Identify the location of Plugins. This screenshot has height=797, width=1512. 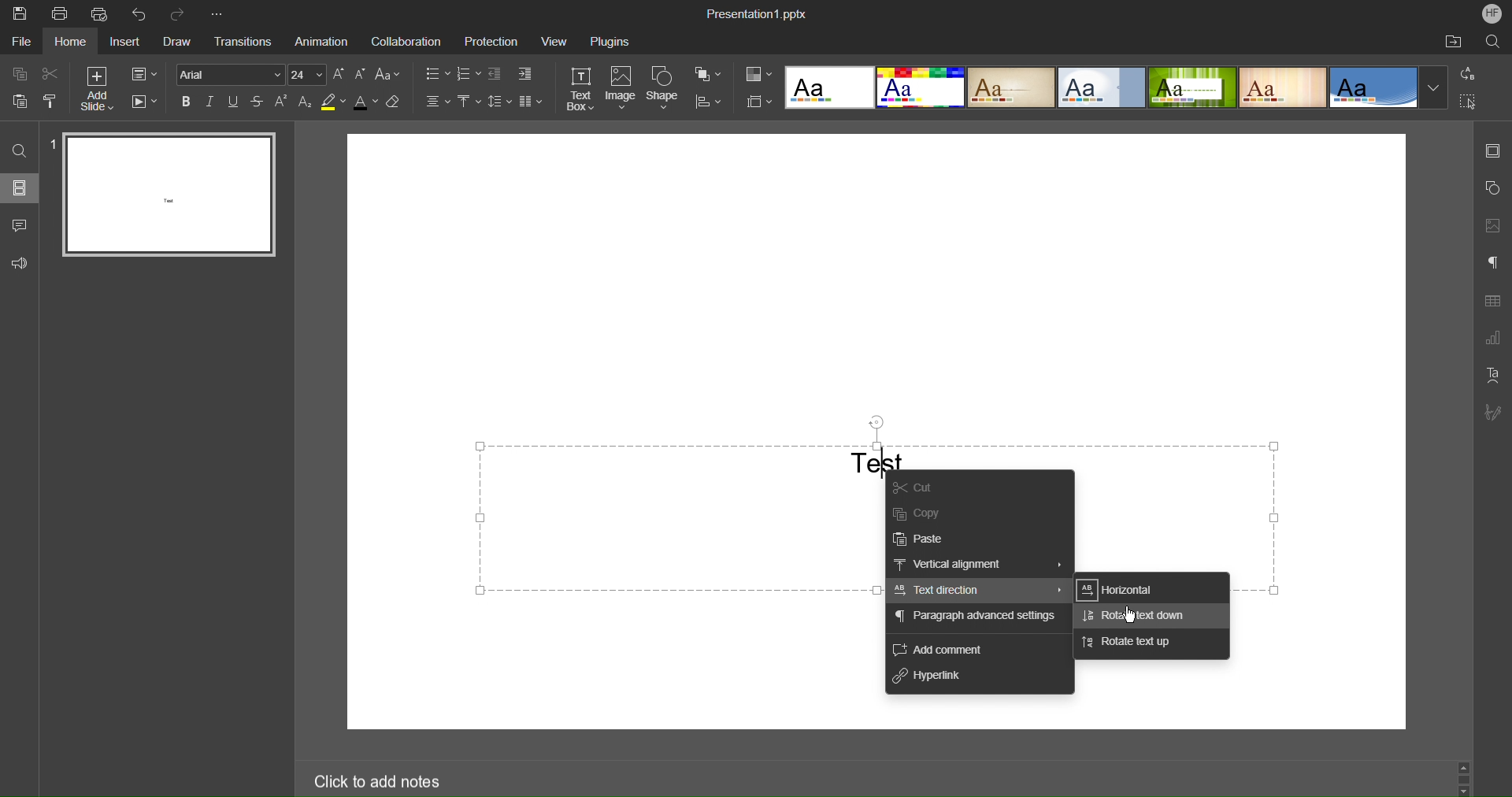
(613, 39).